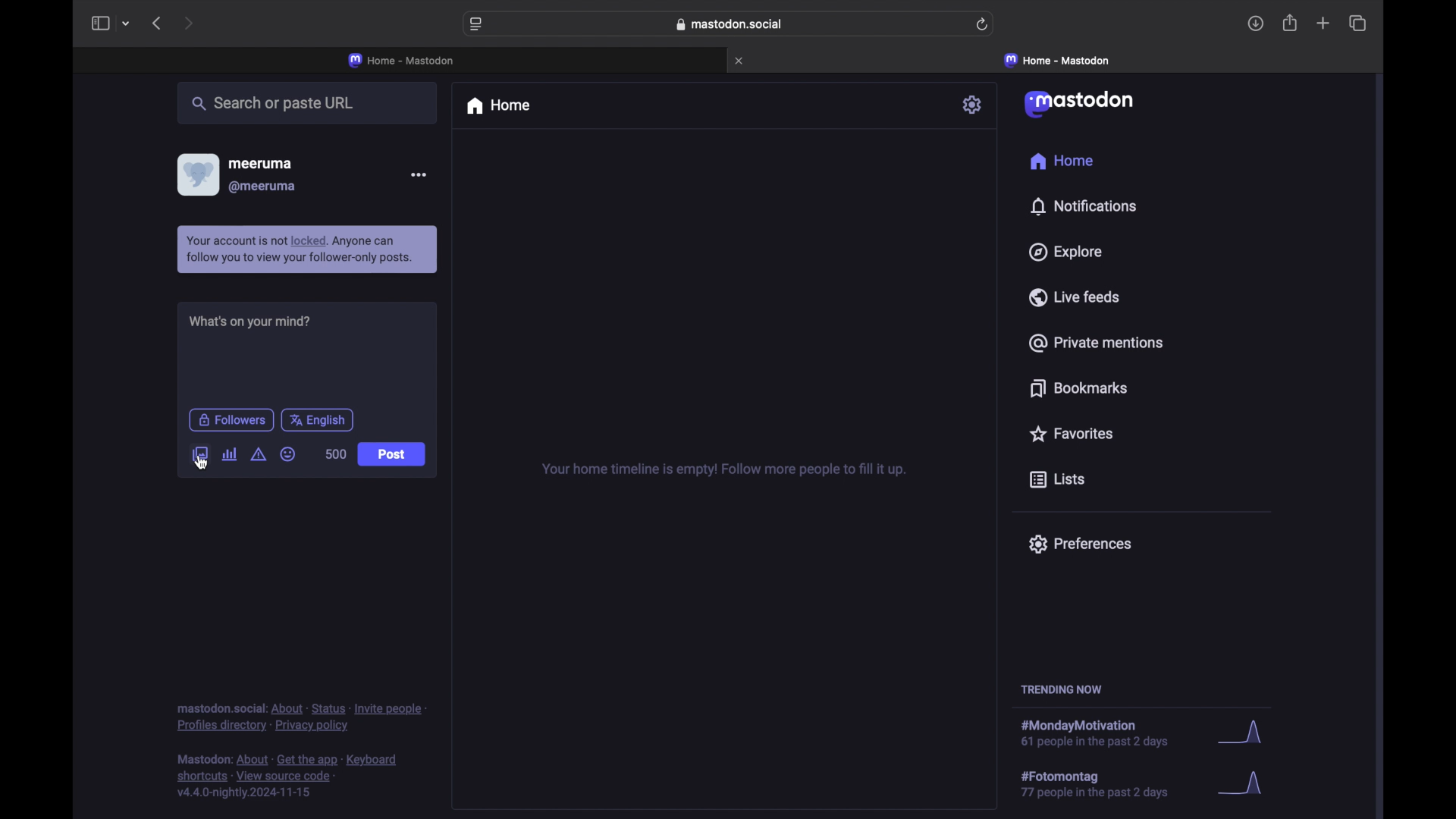  I want to click on favorites, so click(1074, 435).